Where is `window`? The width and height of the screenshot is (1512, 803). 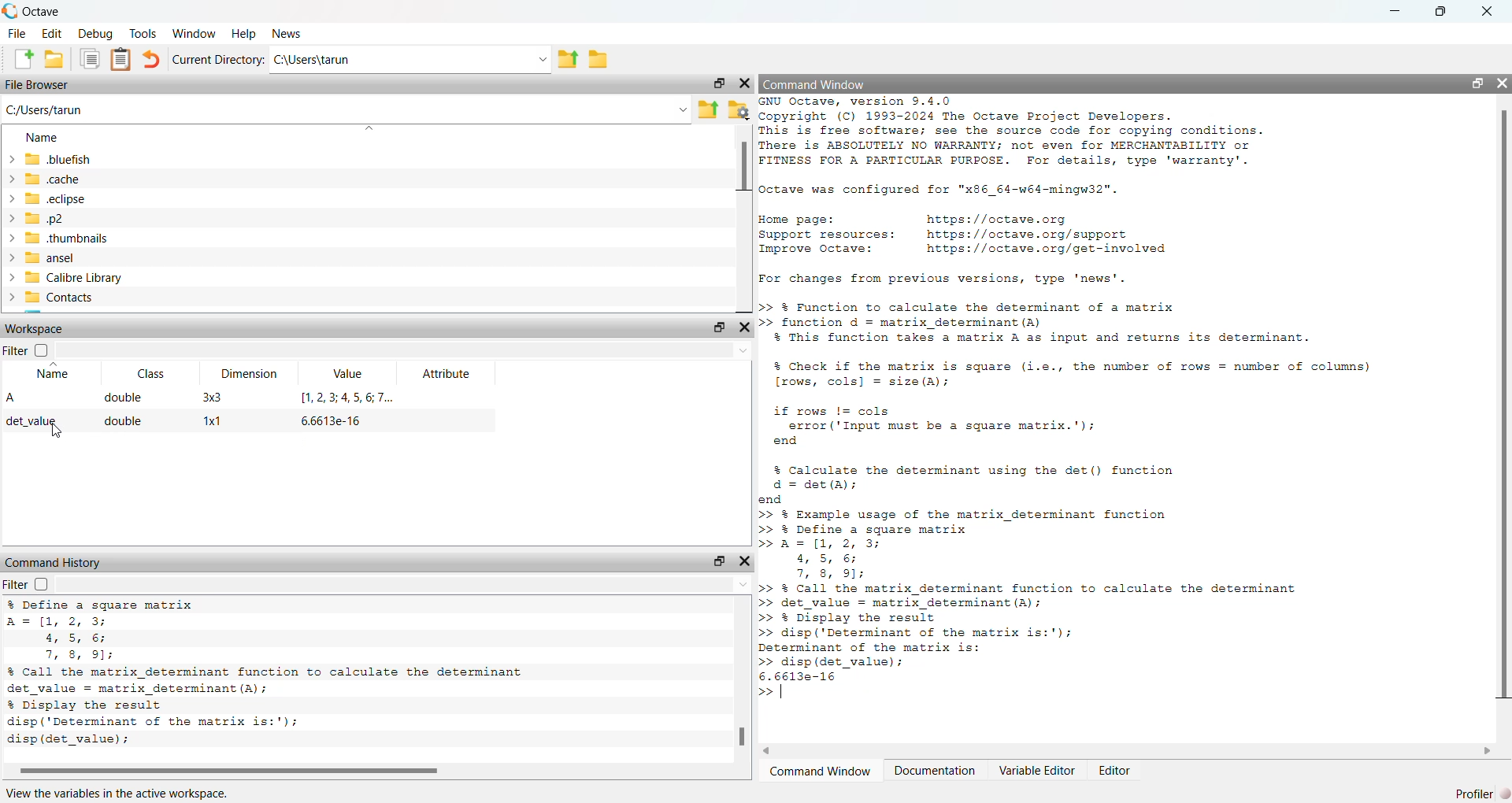
window is located at coordinates (195, 32).